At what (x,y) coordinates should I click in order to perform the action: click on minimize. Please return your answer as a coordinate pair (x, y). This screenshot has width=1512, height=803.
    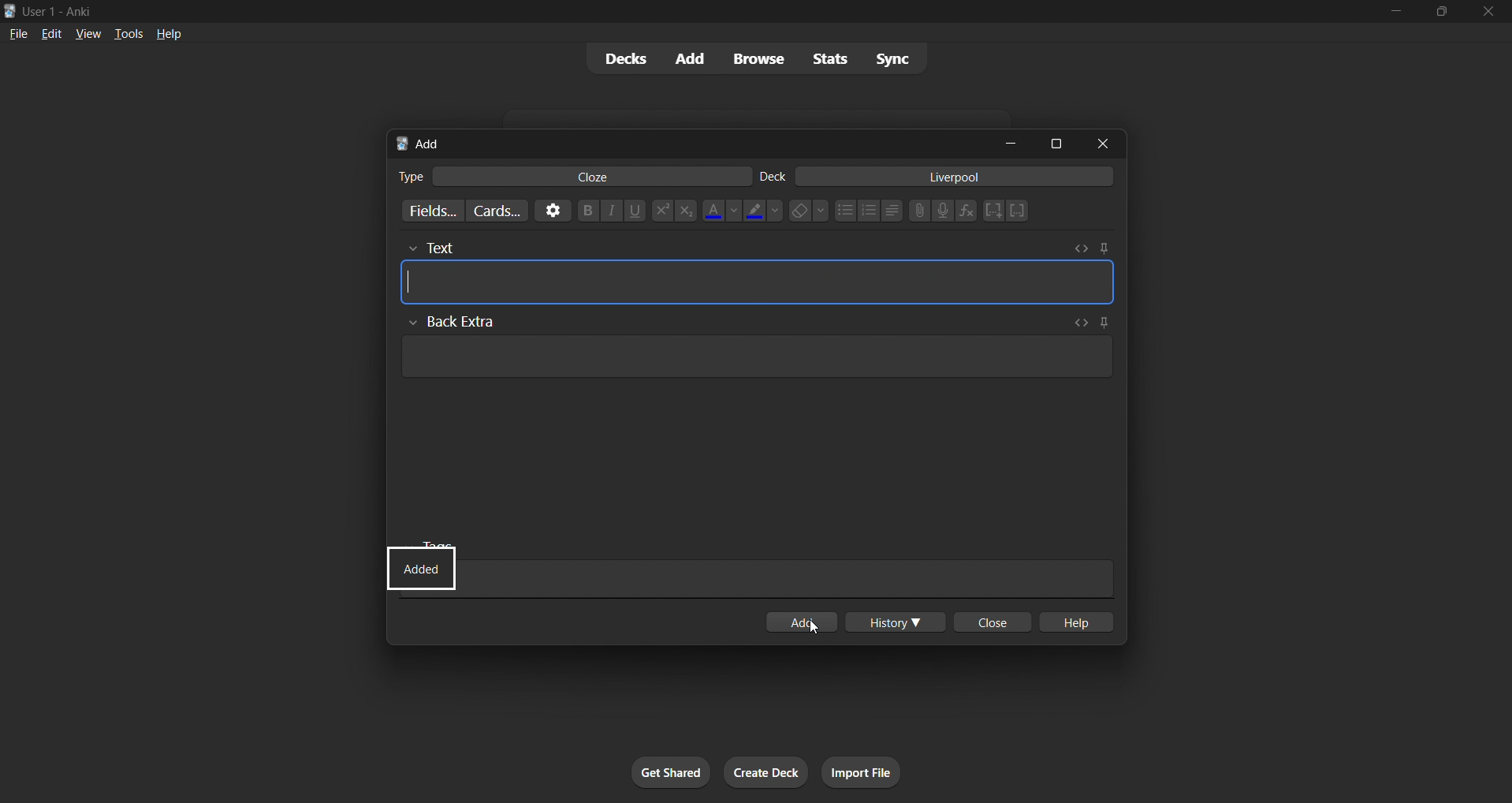
    Looking at the image, I should click on (1398, 13).